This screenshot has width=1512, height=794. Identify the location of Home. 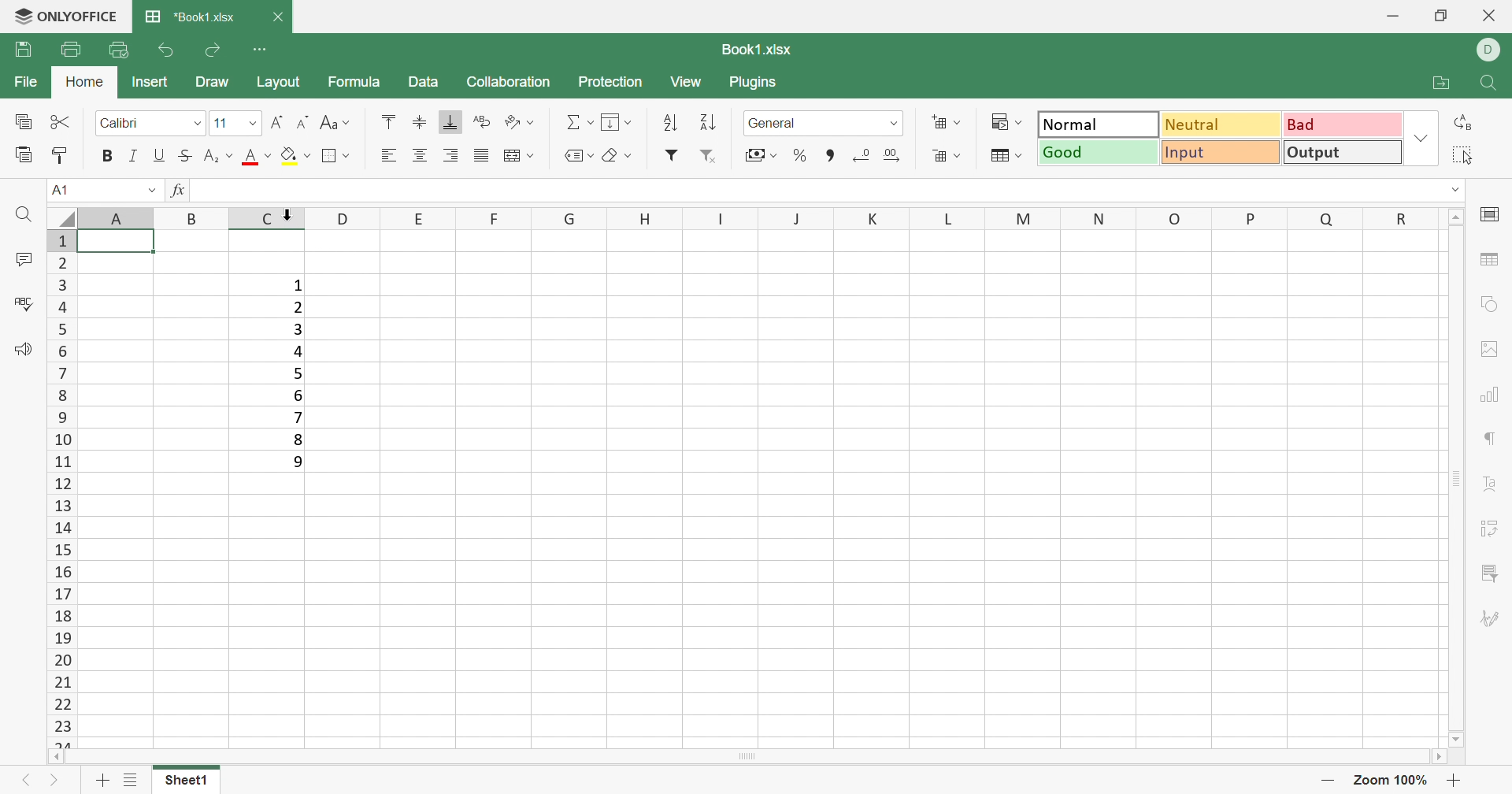
(83, 80).